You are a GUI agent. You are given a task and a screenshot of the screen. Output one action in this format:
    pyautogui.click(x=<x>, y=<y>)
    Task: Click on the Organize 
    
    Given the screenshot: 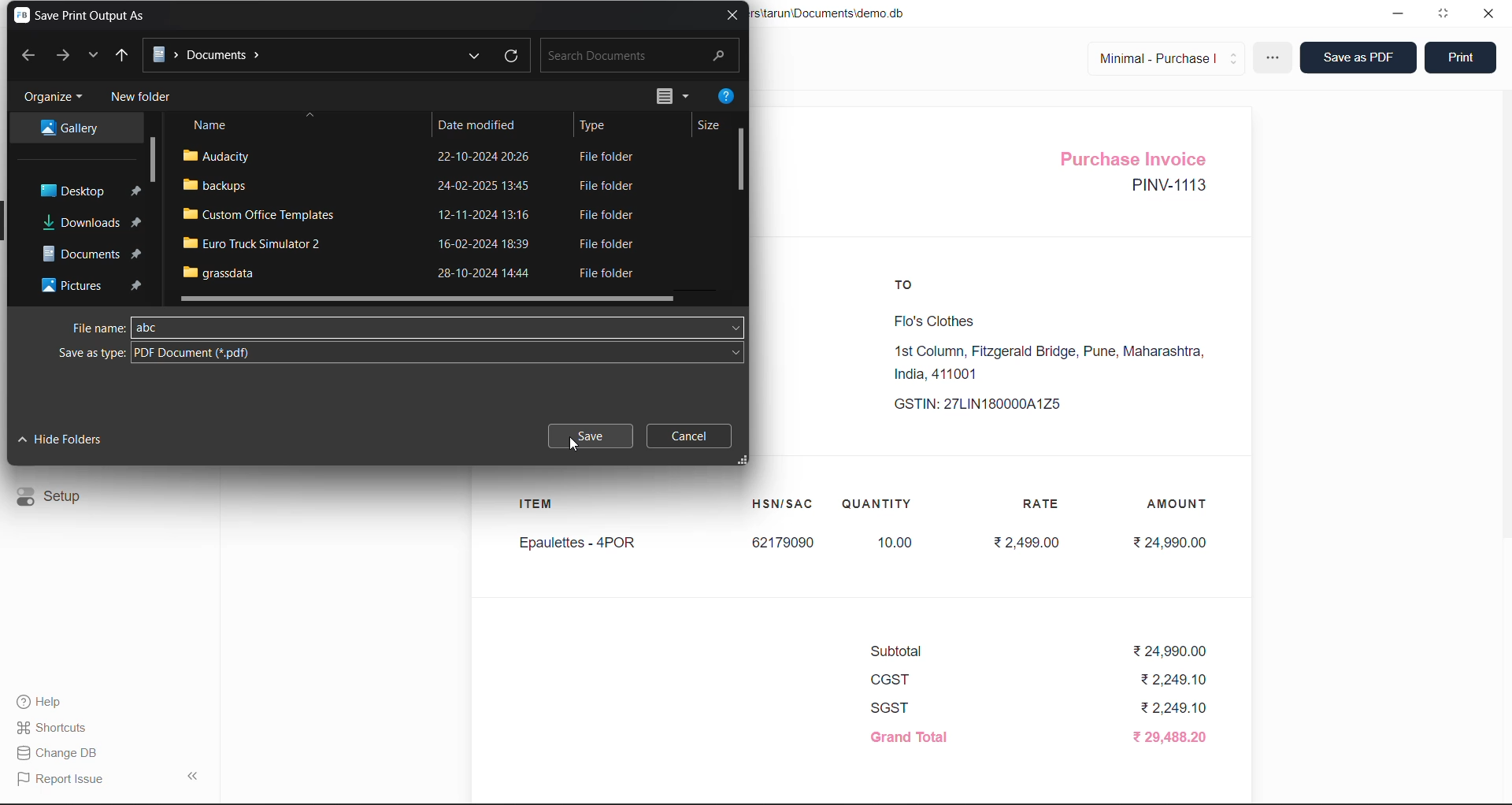 What is the action you would take?
    pyautogui.click(x=51, y=98)
    